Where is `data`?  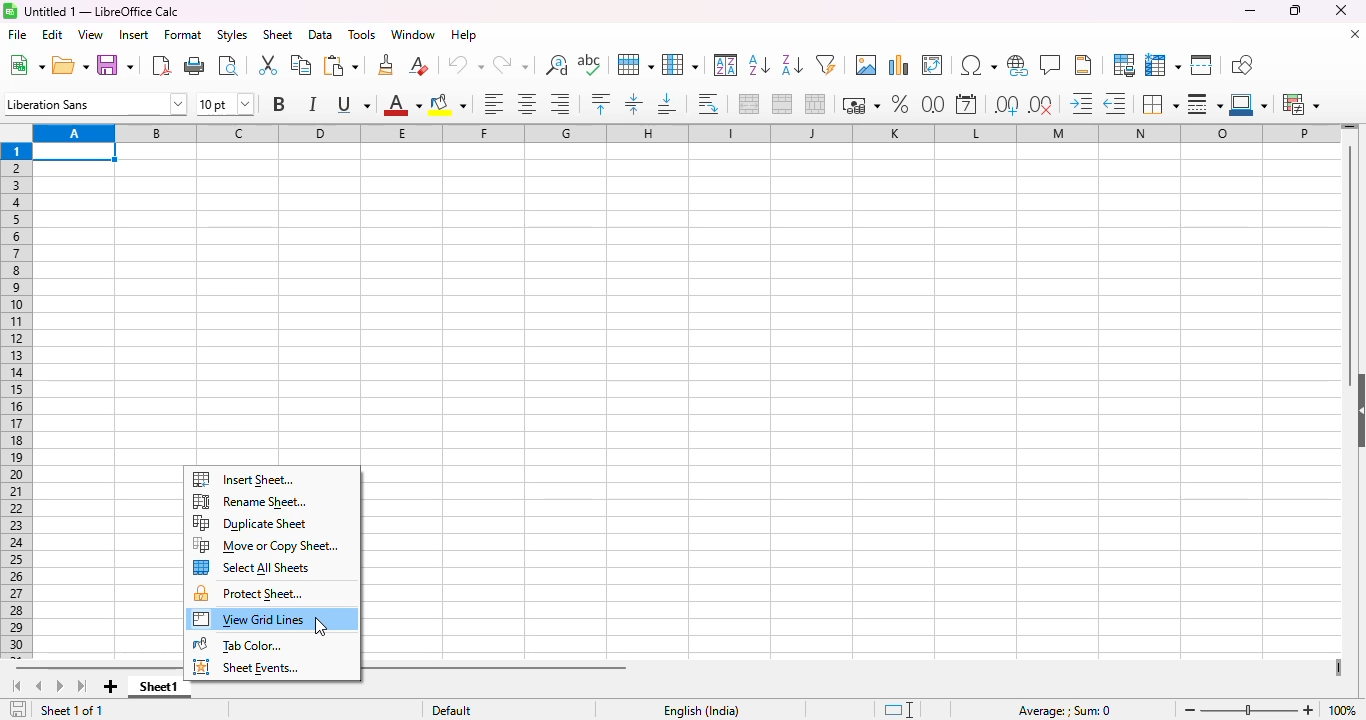 data is located at coordinates (320, 34).